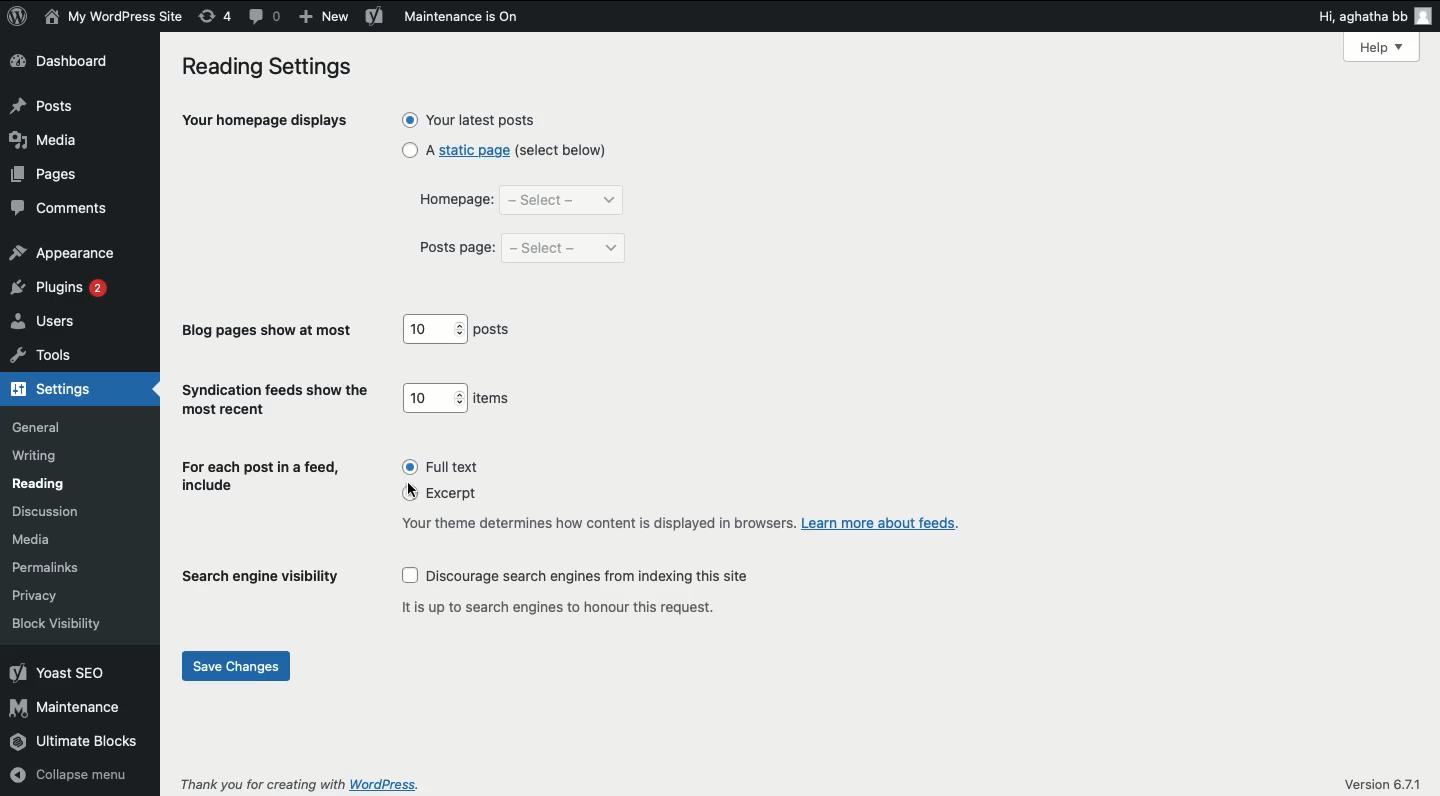 The width and height of the screenshot is (1440, 796). I want to click on blog pages show at most, so click(269, 331).